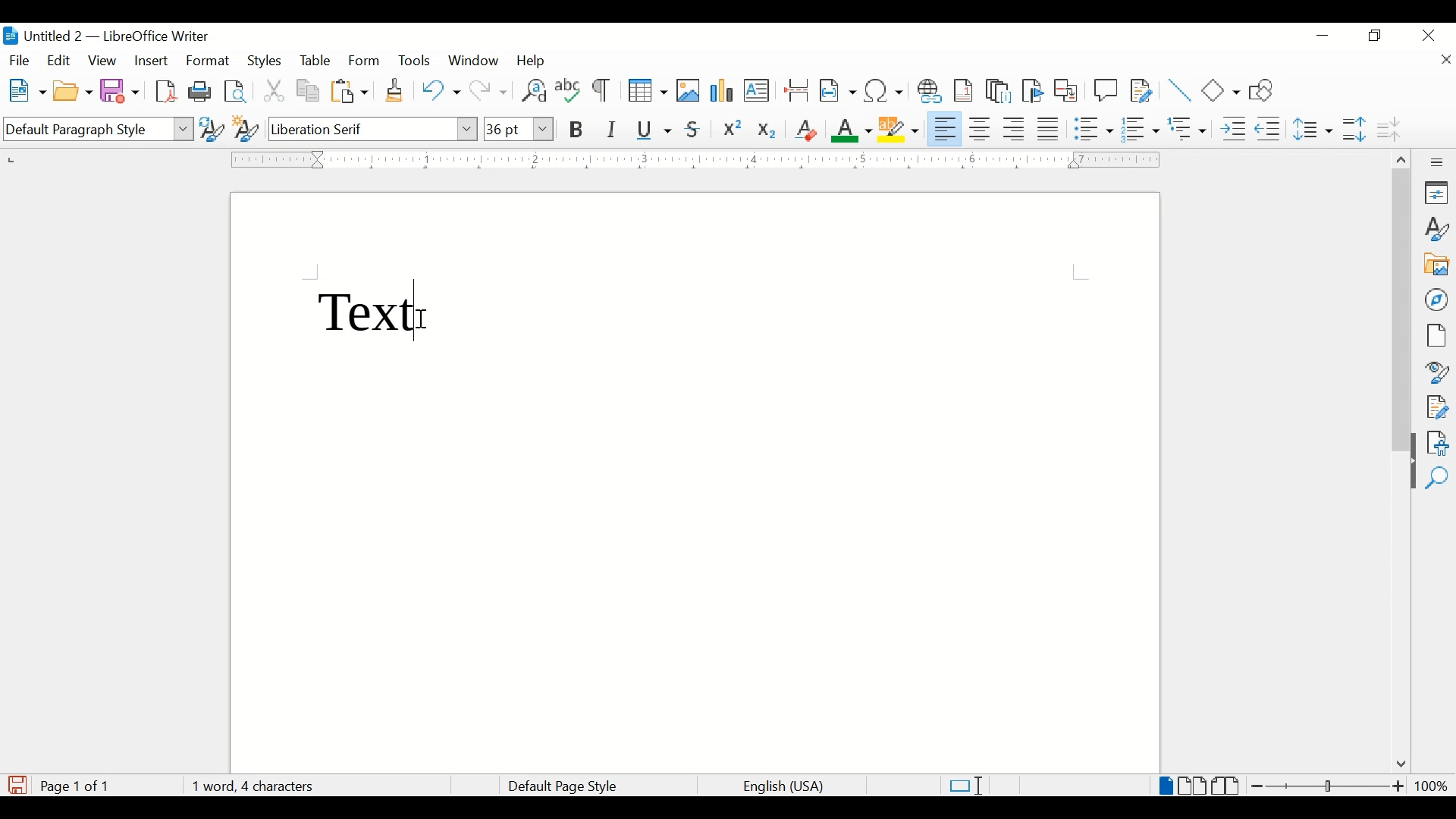  Describe the element at coordinates (1429, 34) in the screenshot. I see `close` at that location.